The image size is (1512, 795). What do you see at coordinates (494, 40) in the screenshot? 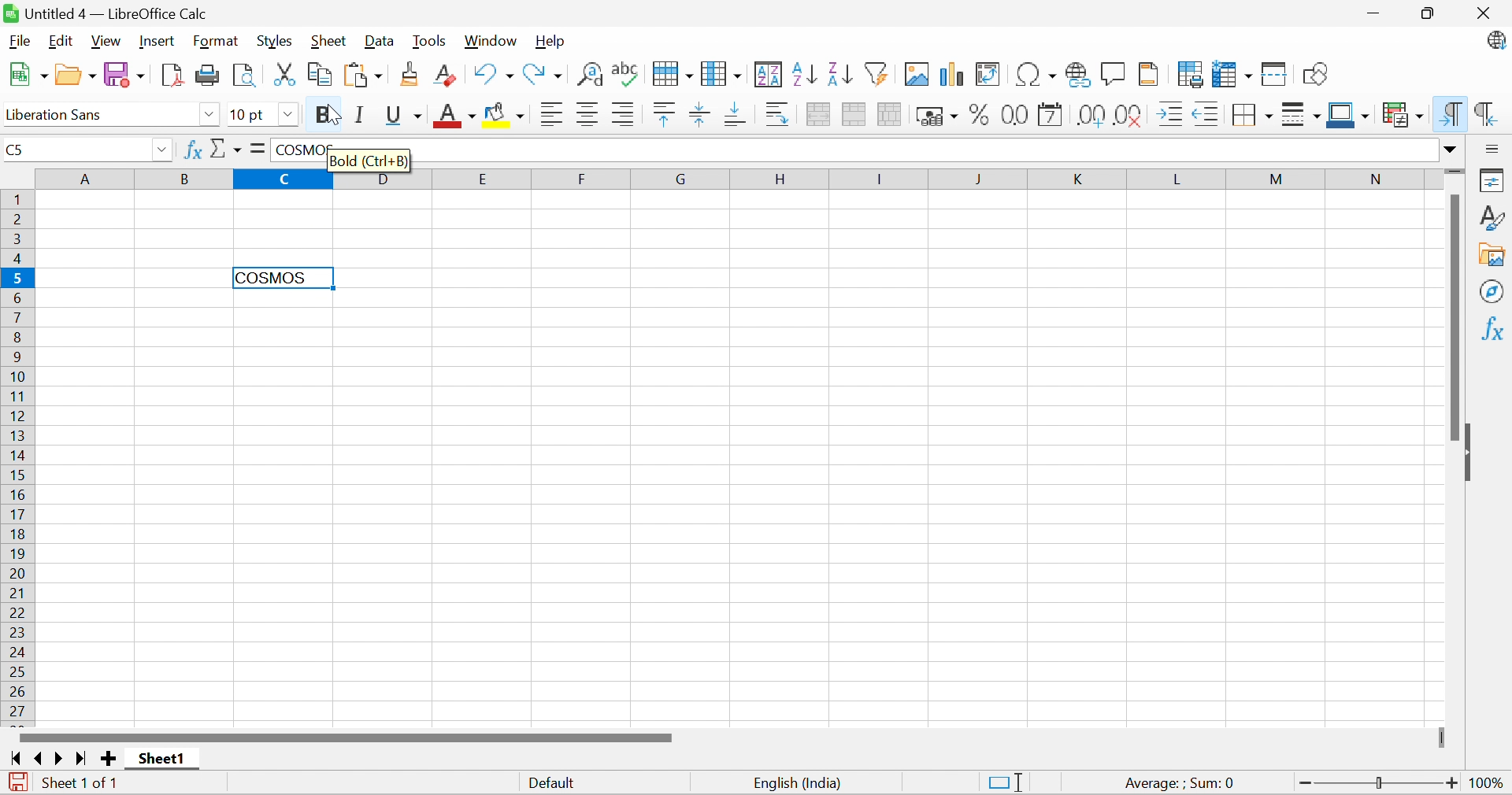
I see `Window` at bounding box center [494, 40].